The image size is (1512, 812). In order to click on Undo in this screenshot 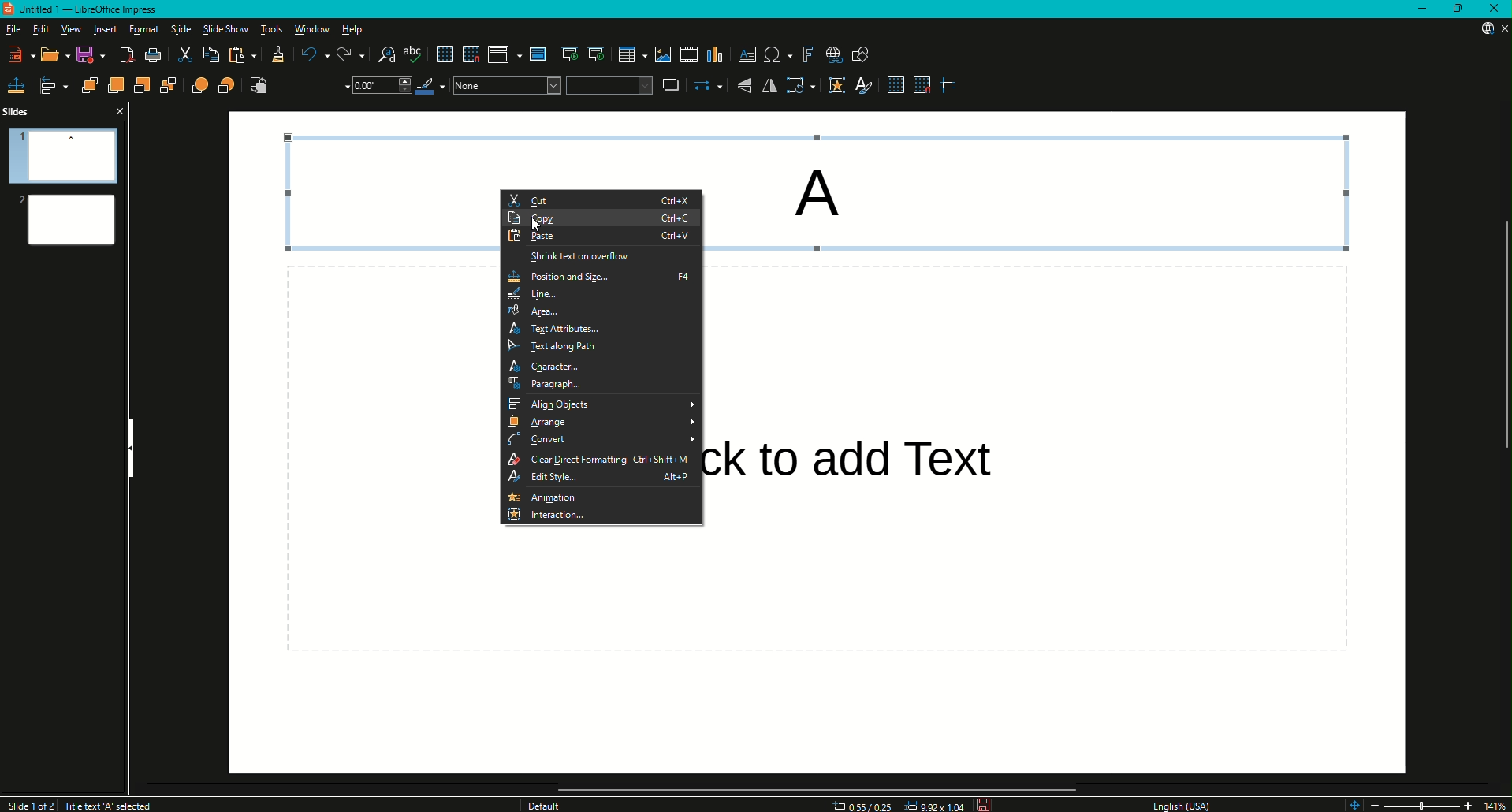, I will do `click(311, 54)`.